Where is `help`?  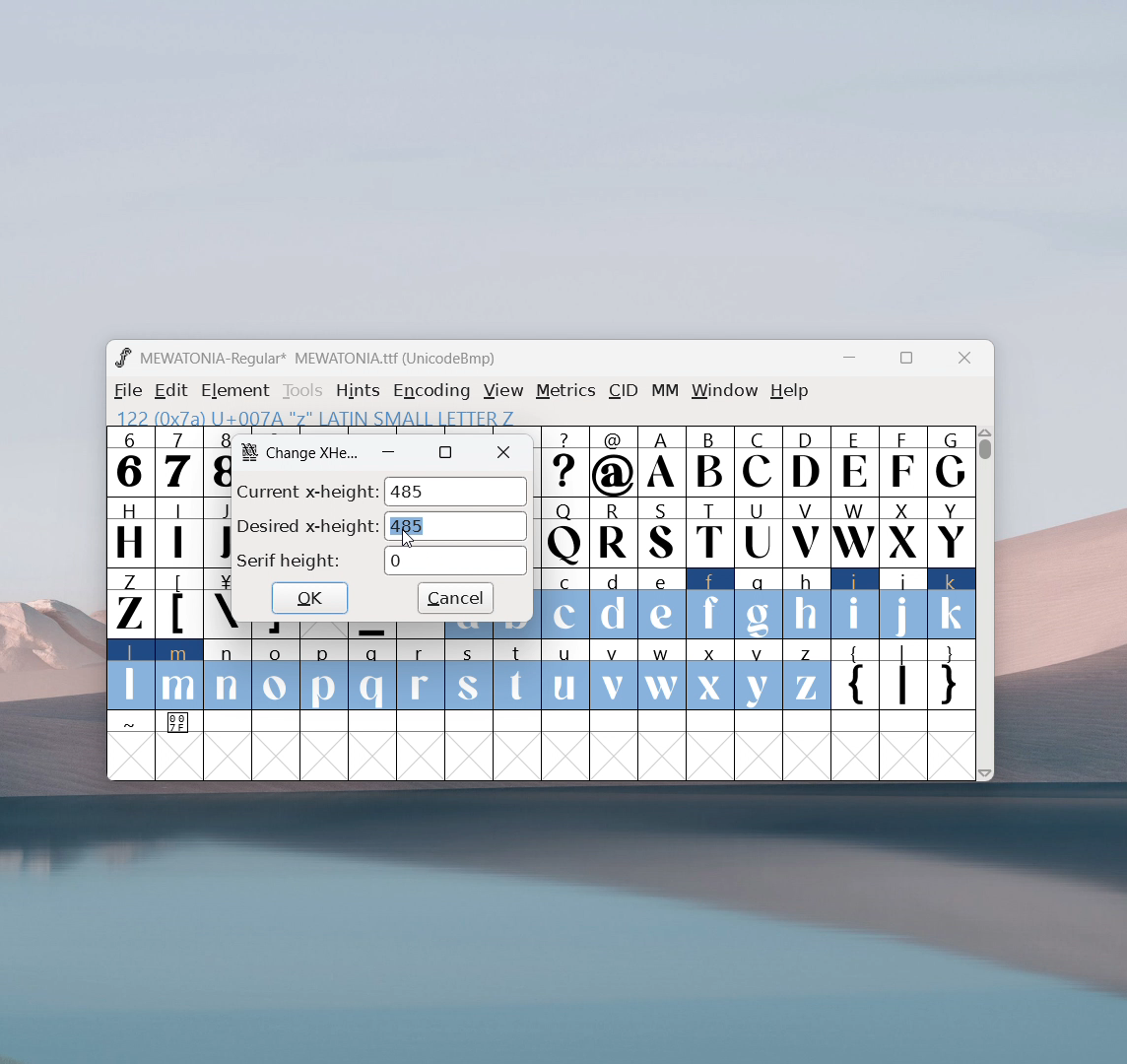
help is located at coordinates (790, 391).